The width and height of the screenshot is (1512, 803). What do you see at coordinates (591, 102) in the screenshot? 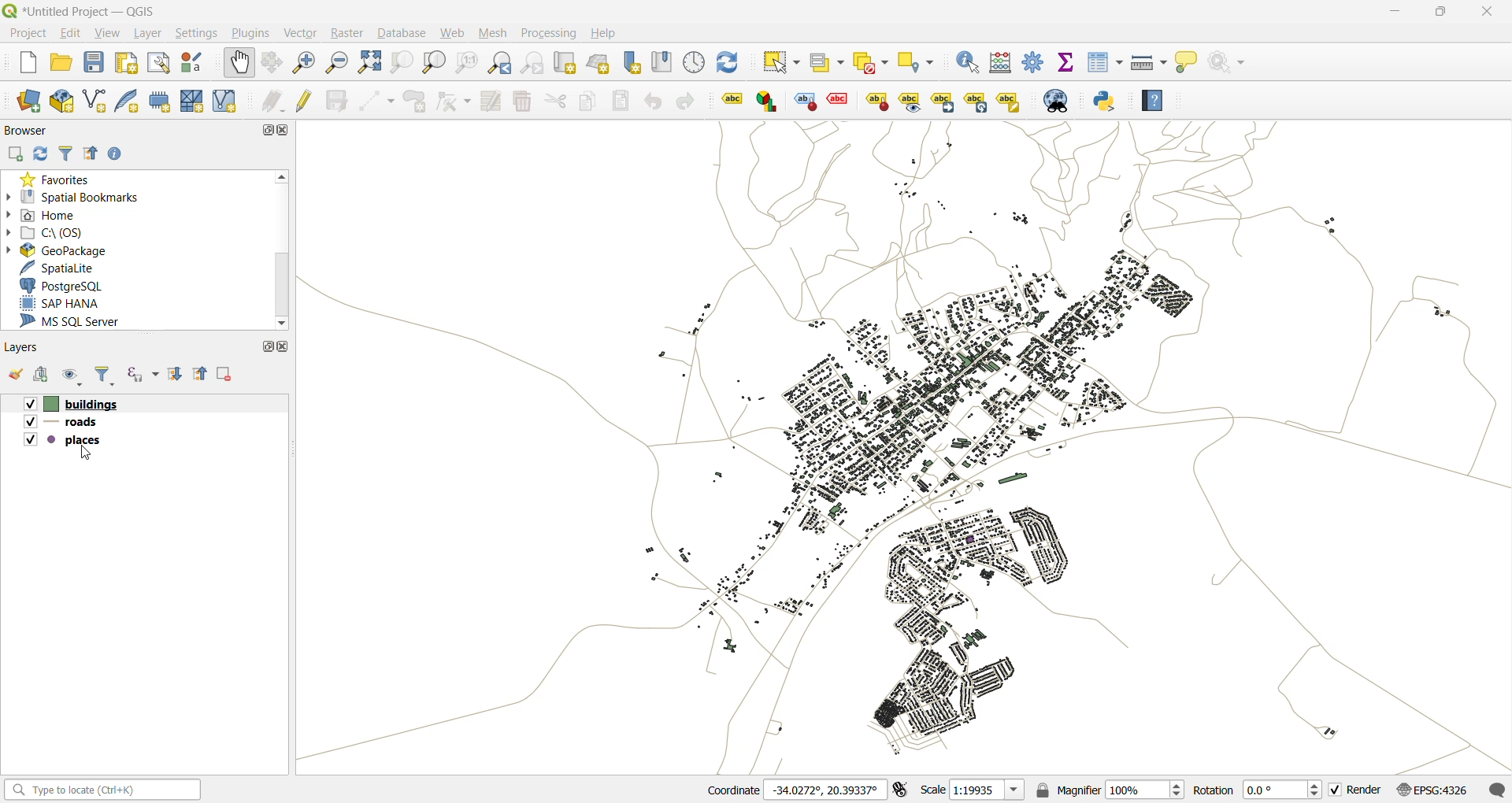
I see `copy` at bounding box center [591, 102].